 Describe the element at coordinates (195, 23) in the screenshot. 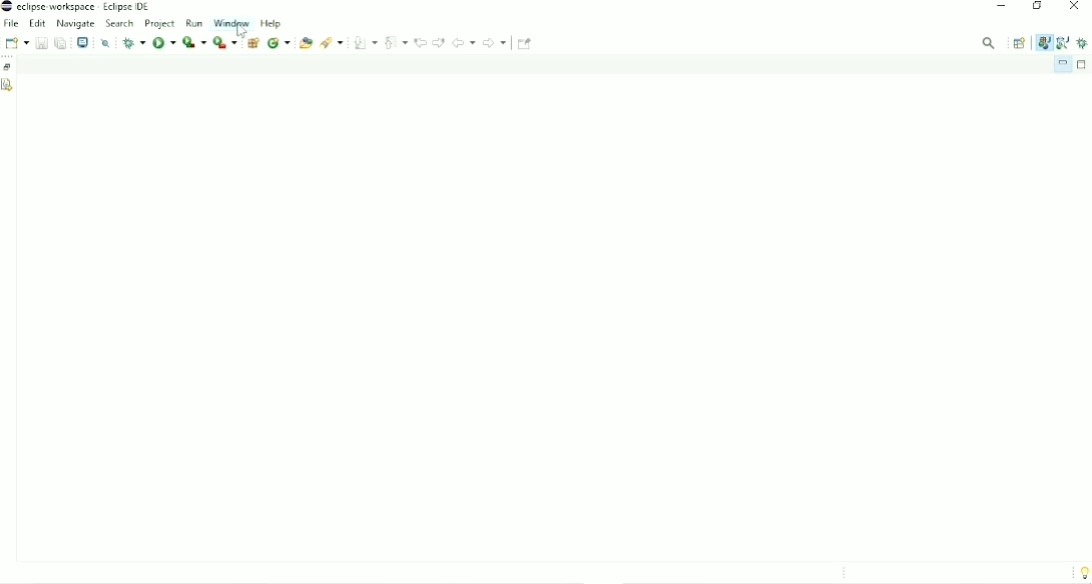

I see `Run` at that location.